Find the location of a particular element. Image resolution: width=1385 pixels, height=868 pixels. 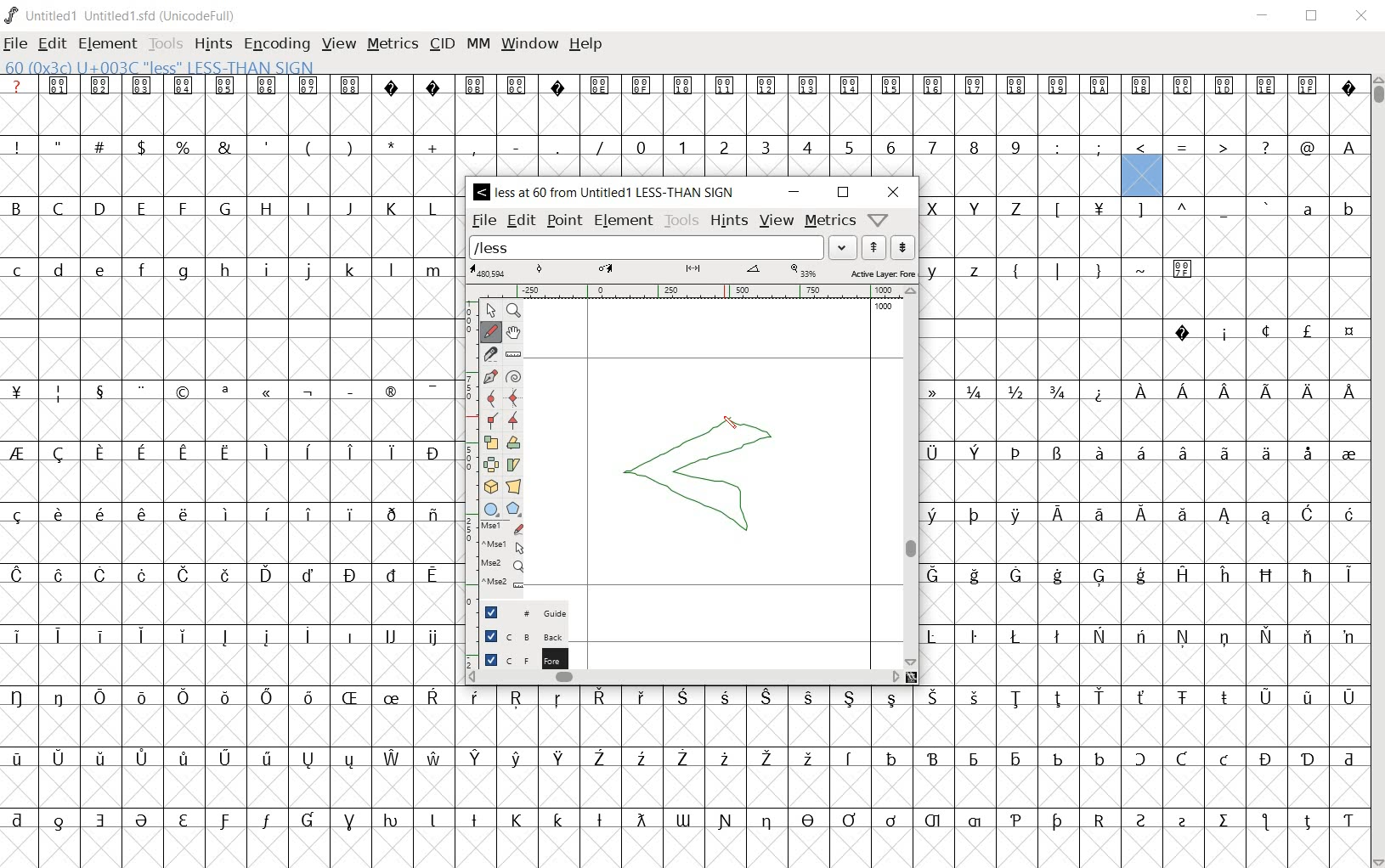

add a point, then drag out its control points is located at coordinates (491, 374).